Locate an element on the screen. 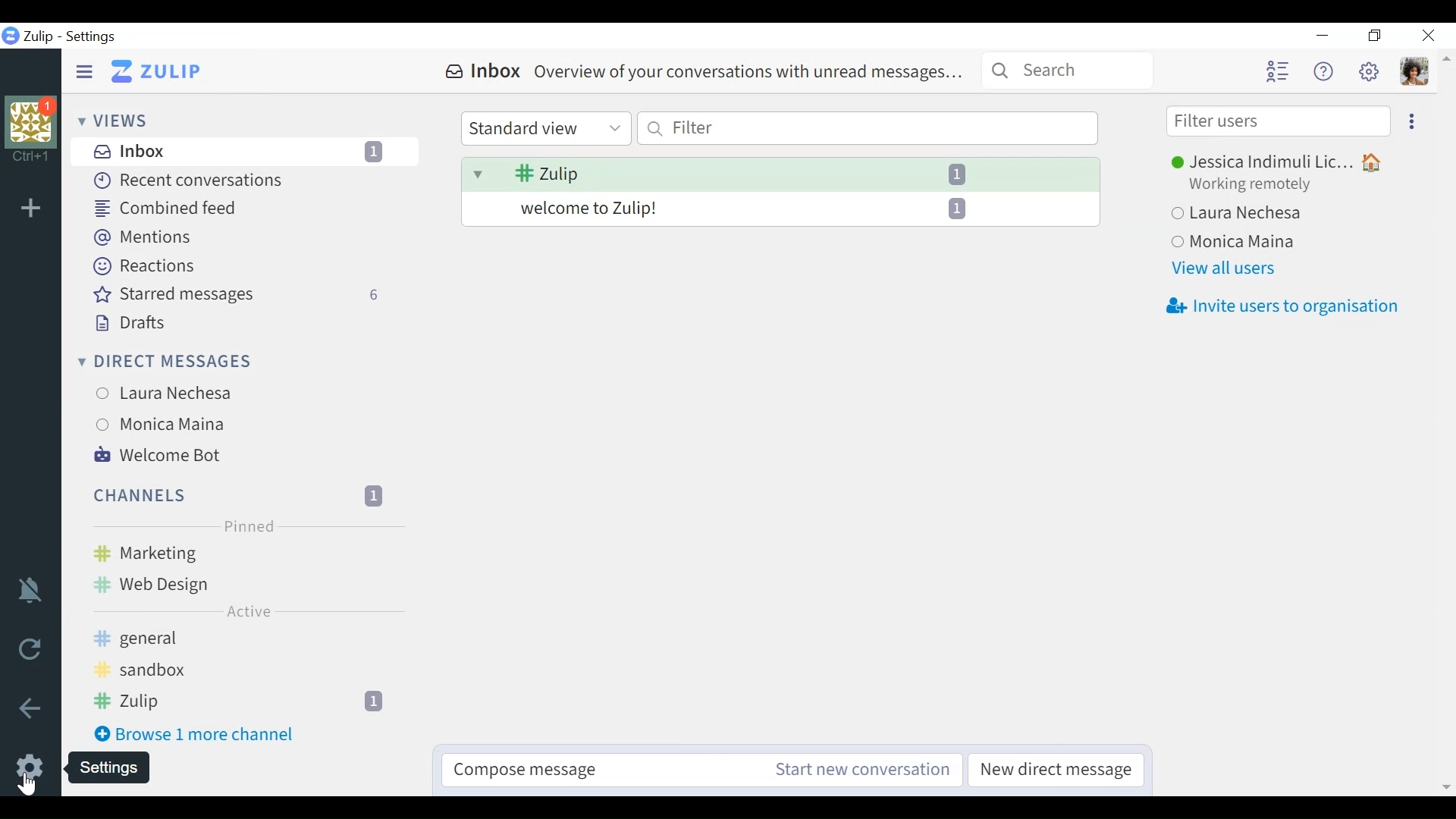  Direct messages is located at coordinates (169, 362).